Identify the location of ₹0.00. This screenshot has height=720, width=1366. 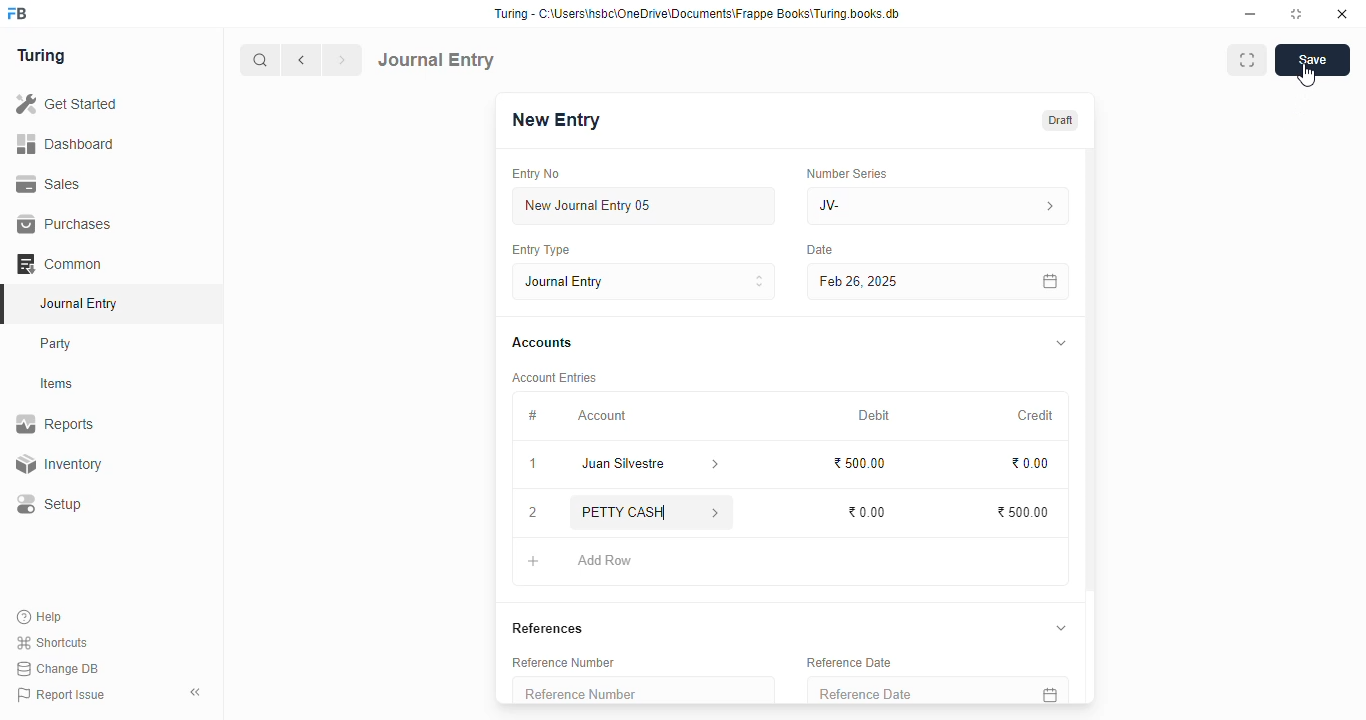
(869, 512).